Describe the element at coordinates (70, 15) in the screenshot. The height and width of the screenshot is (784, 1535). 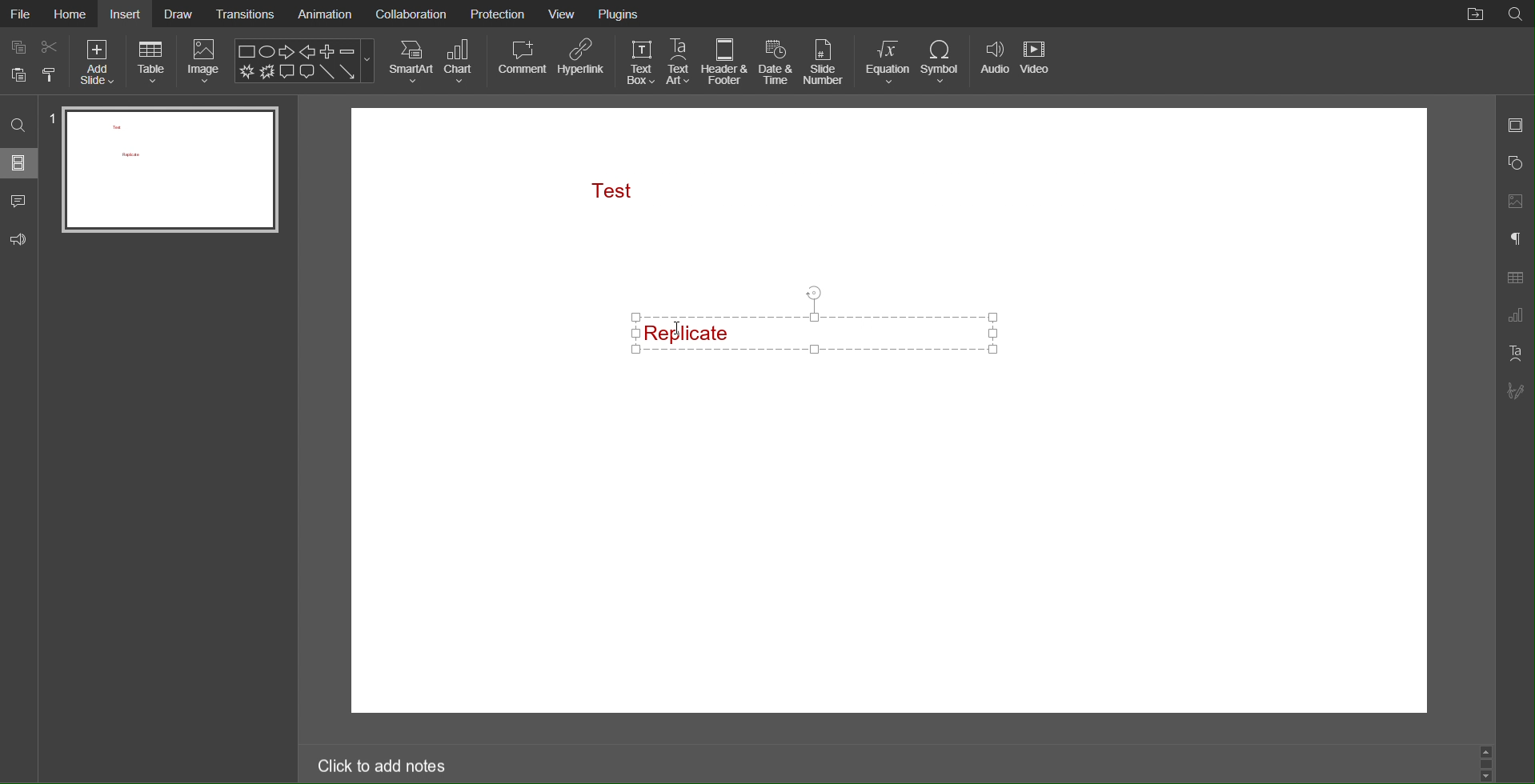
I see `Home` at that location.